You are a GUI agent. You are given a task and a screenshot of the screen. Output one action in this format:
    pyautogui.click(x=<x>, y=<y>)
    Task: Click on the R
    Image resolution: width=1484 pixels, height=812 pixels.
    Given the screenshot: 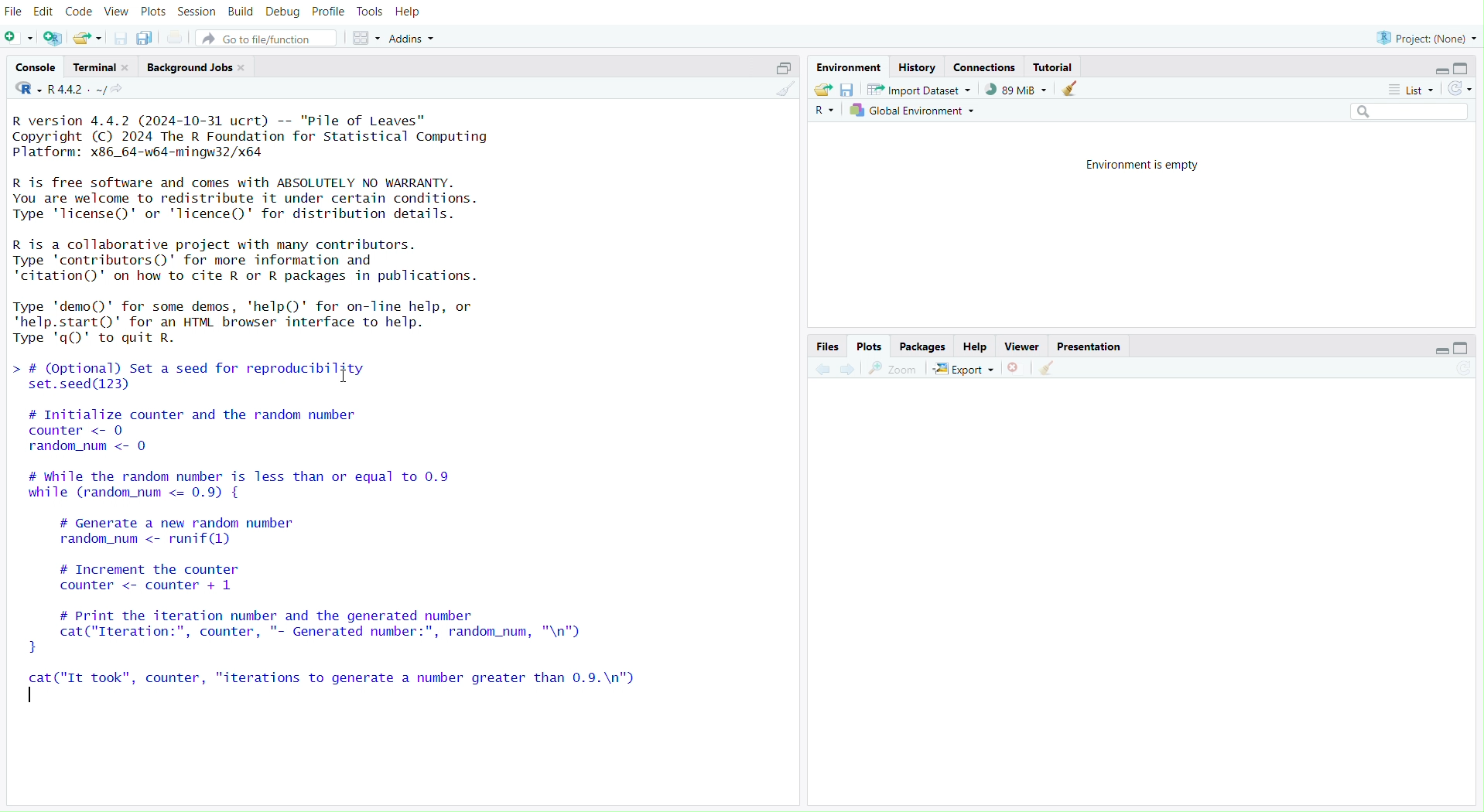 What is the action you would take?
    pyautogui.click(x=825, y=109)
    